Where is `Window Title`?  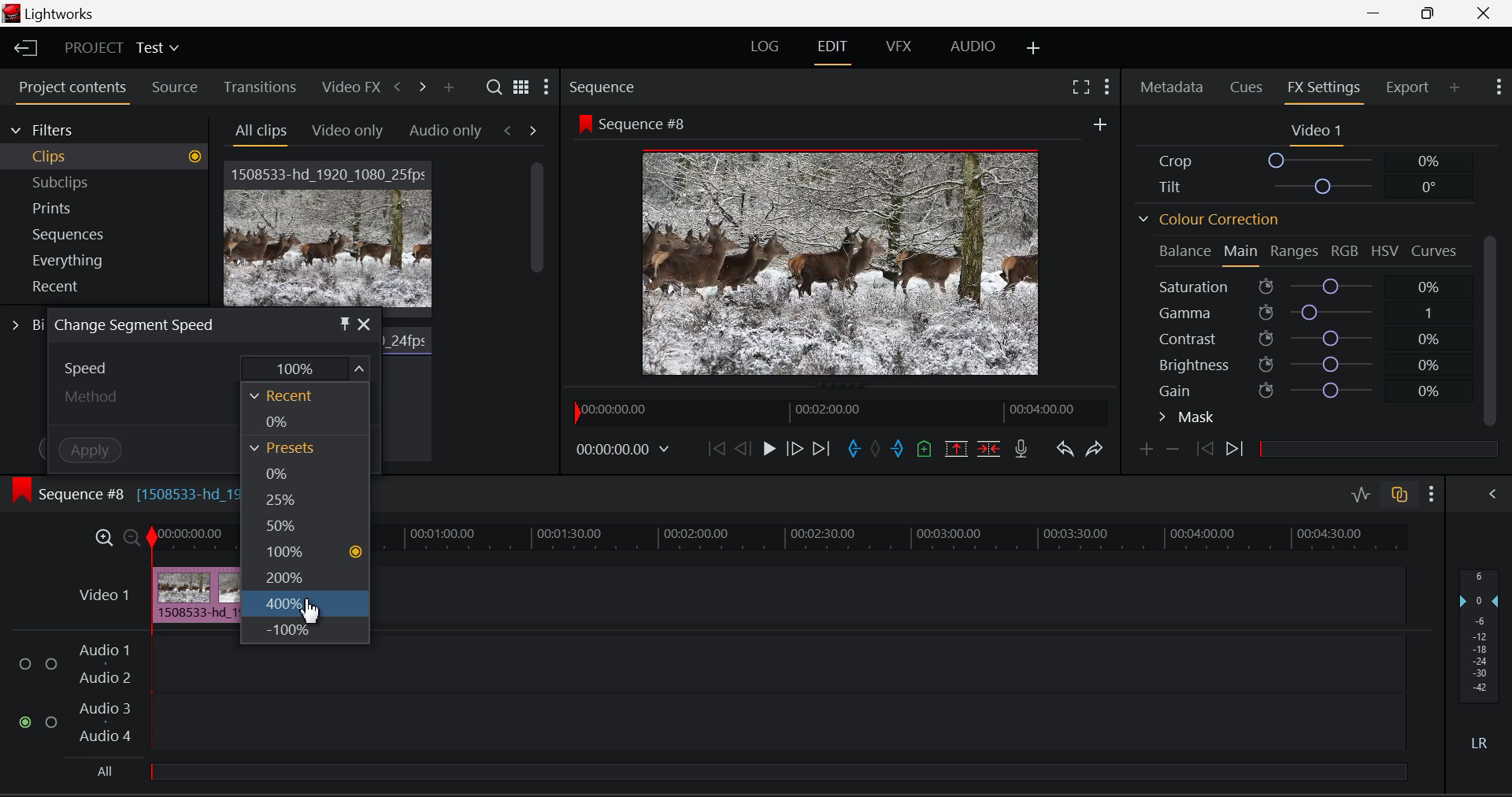 Window Title is located at coordinates (53, 14).